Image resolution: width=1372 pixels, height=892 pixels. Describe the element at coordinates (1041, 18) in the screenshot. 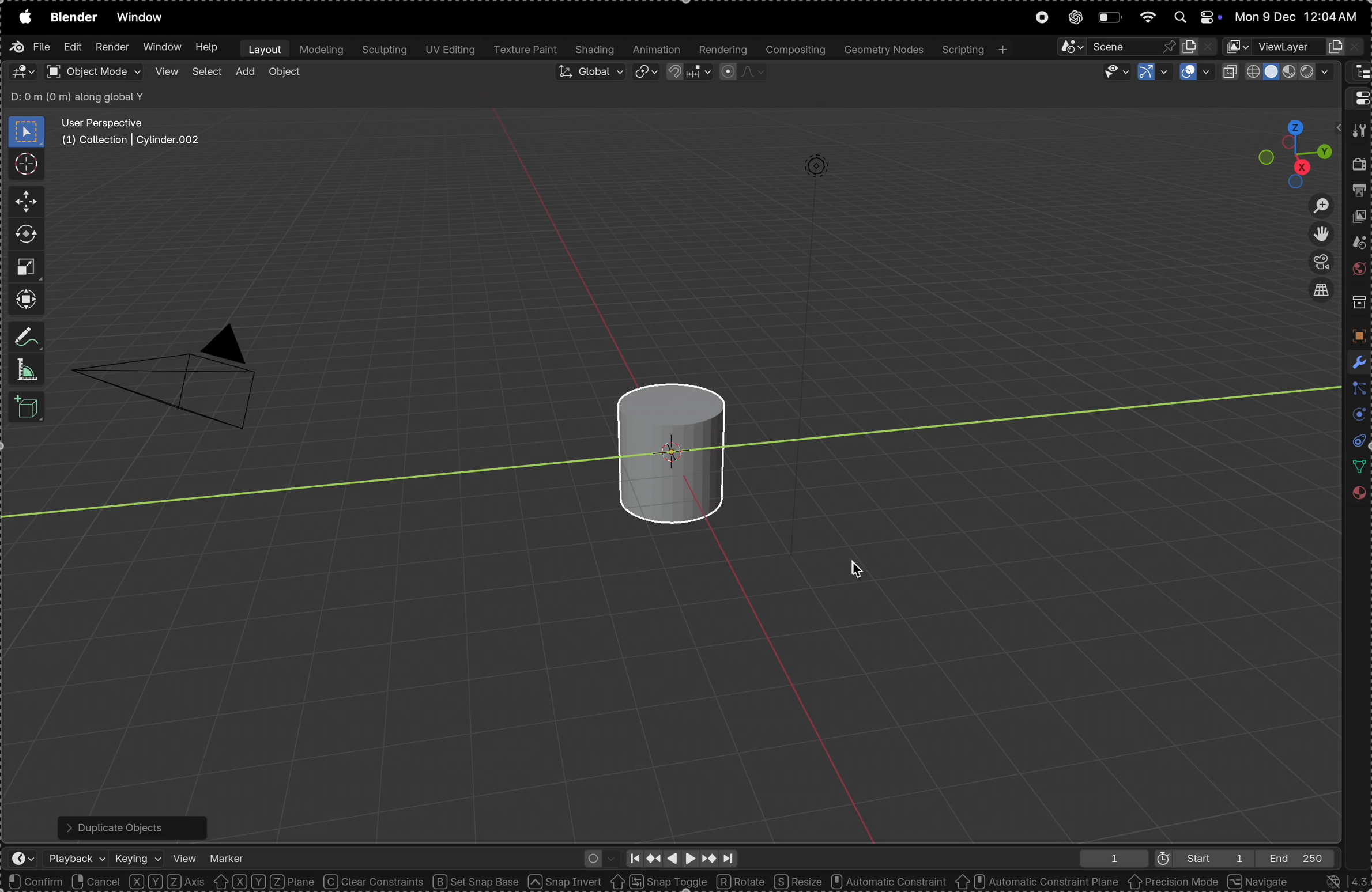

I see `record` at that location.